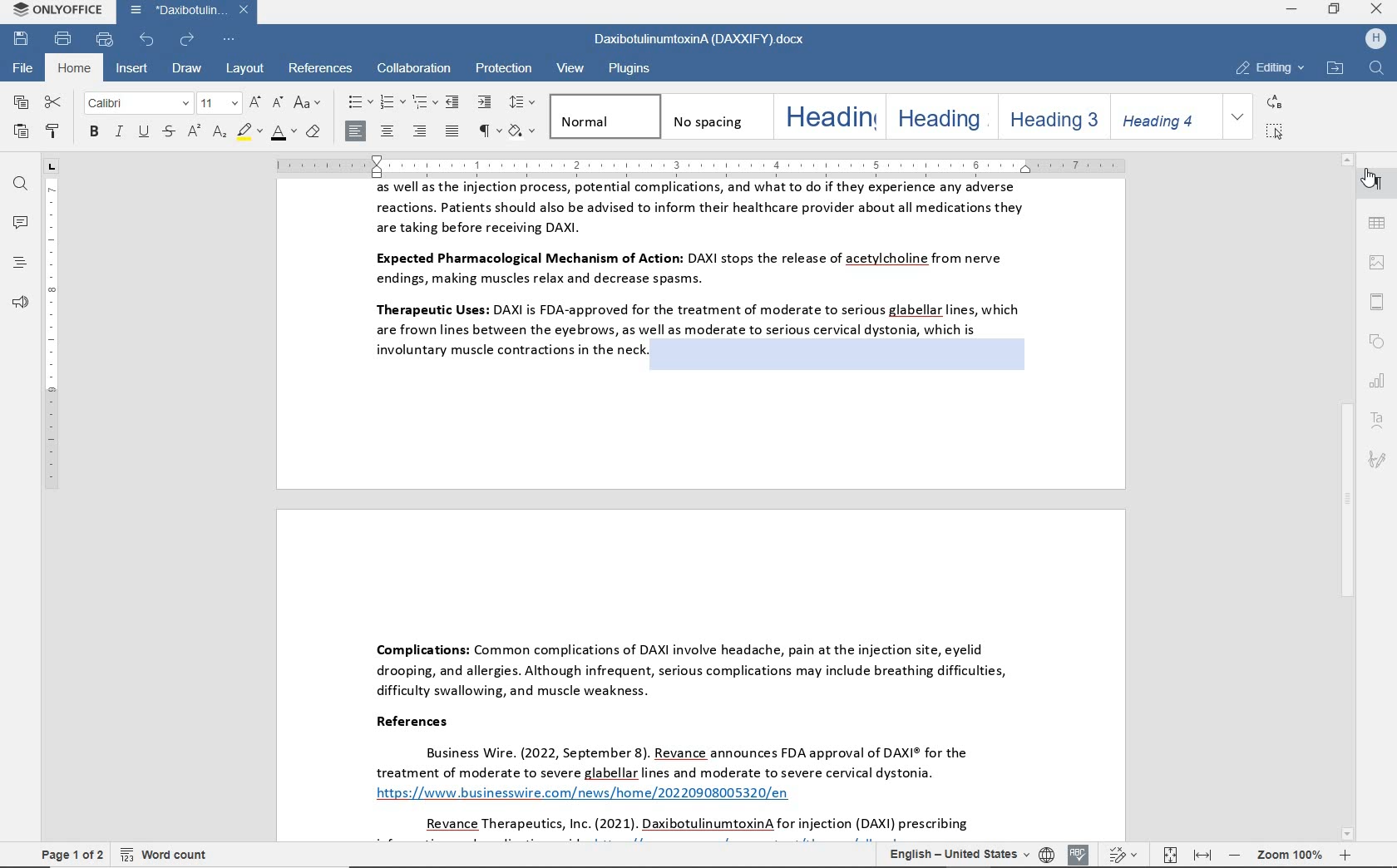 Image resolution: width=1397 pixels, height=868 pixels. I want to click on decrement font size, so click(276, 101).